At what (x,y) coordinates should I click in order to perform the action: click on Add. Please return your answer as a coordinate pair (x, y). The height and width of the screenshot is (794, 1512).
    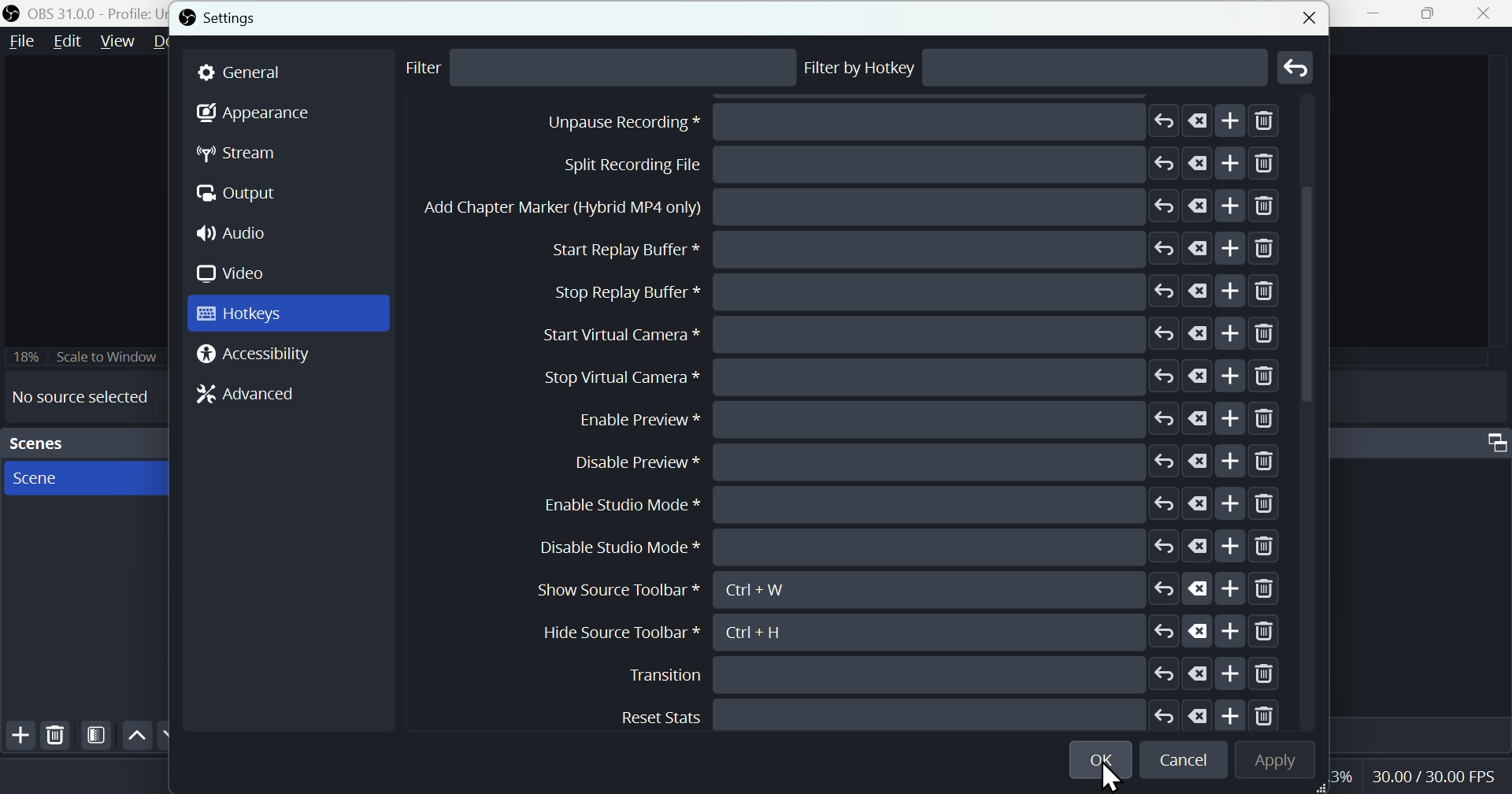
    Looking at the image, I should click on (17, 738).